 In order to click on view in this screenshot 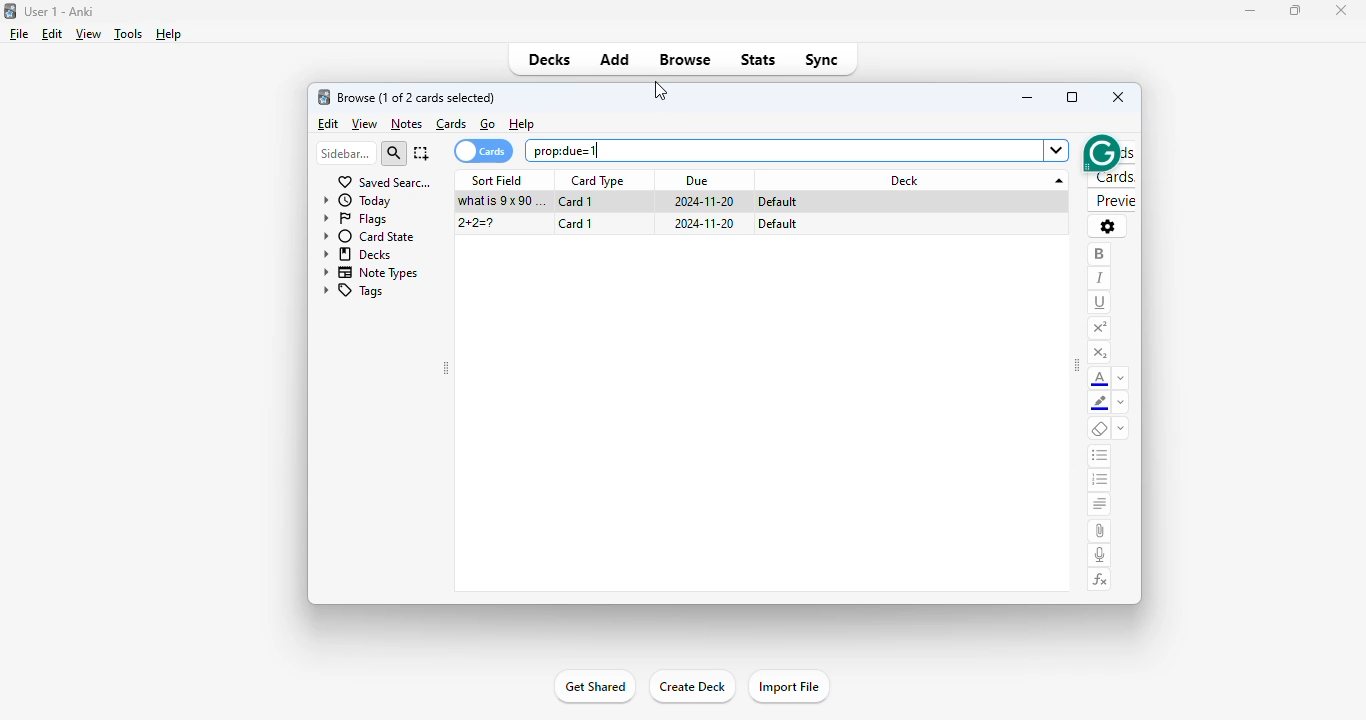, I will do `click(365, 123)`.